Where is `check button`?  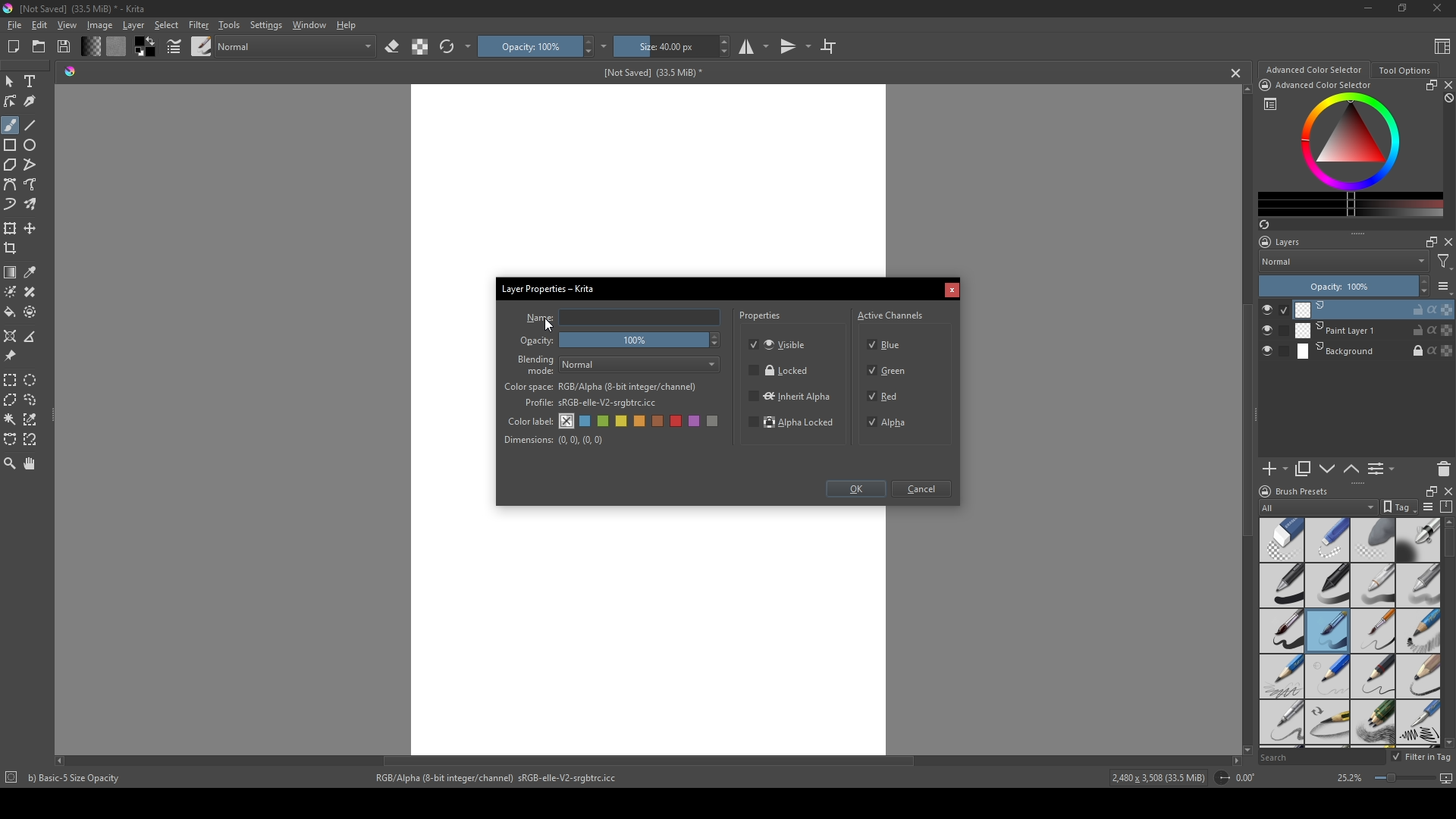
check button is located at coordinates (1274, 309).